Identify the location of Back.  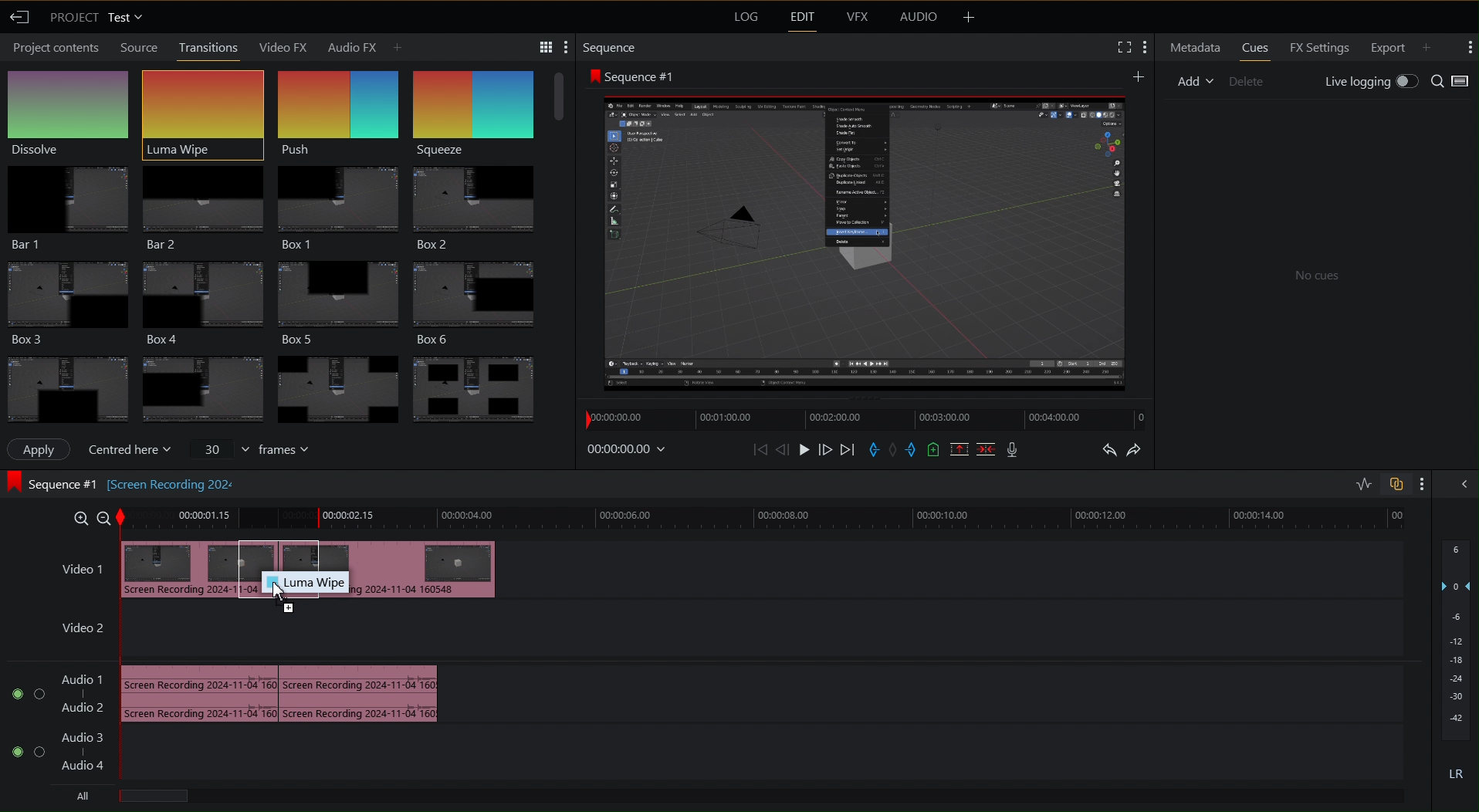
(22, 18).